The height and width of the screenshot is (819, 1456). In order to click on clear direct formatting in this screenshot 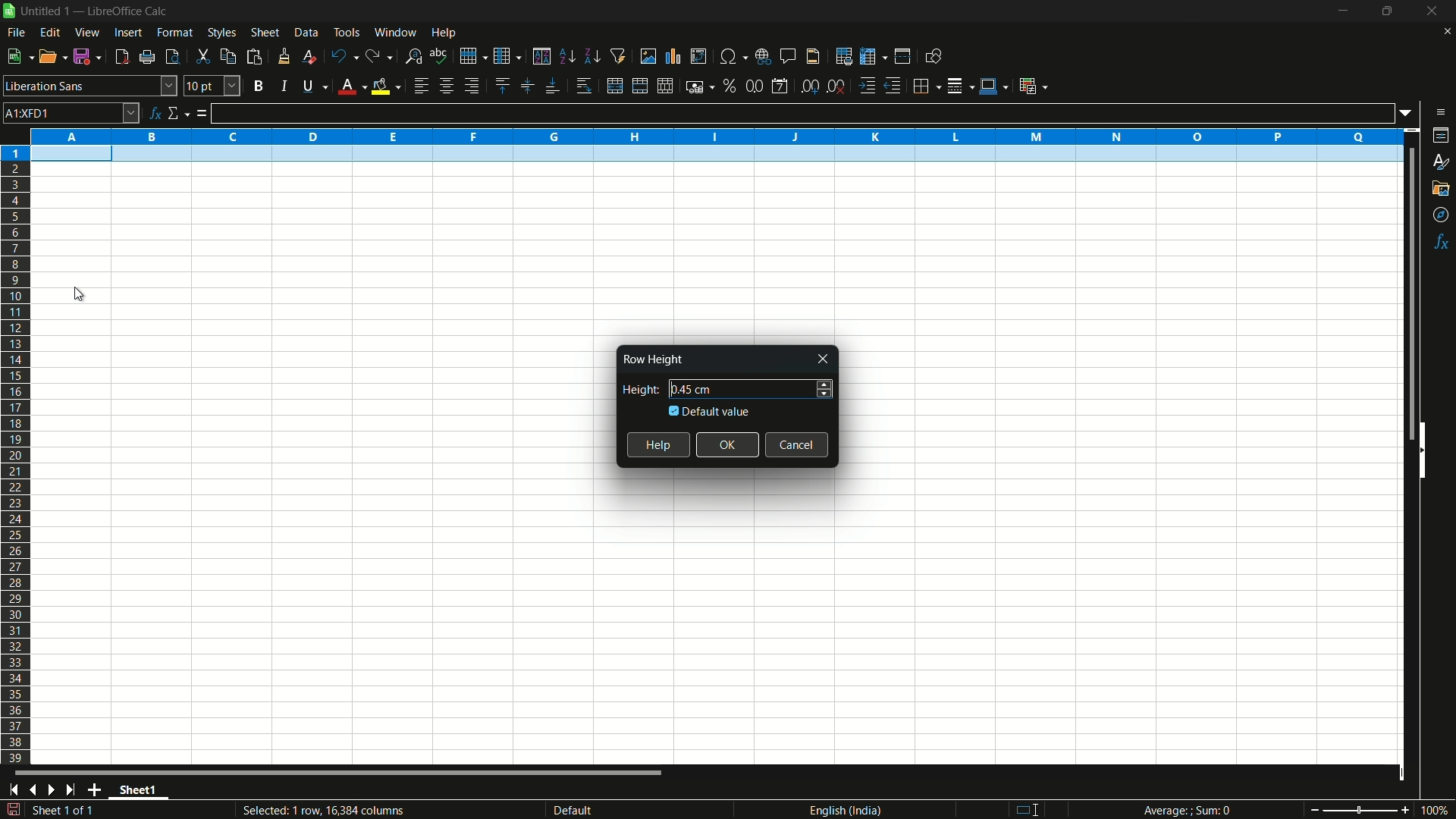, I will do `click(307, 56)`.